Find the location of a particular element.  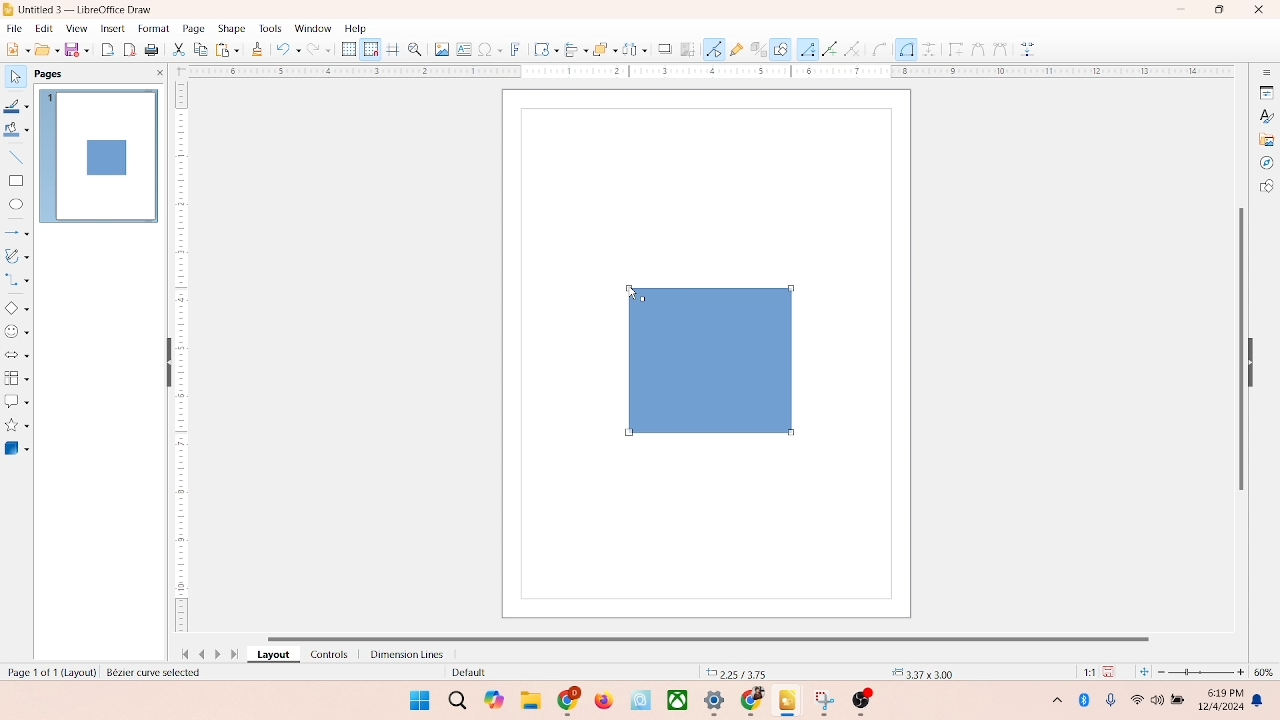

copy is located at coordinates (200, 51).